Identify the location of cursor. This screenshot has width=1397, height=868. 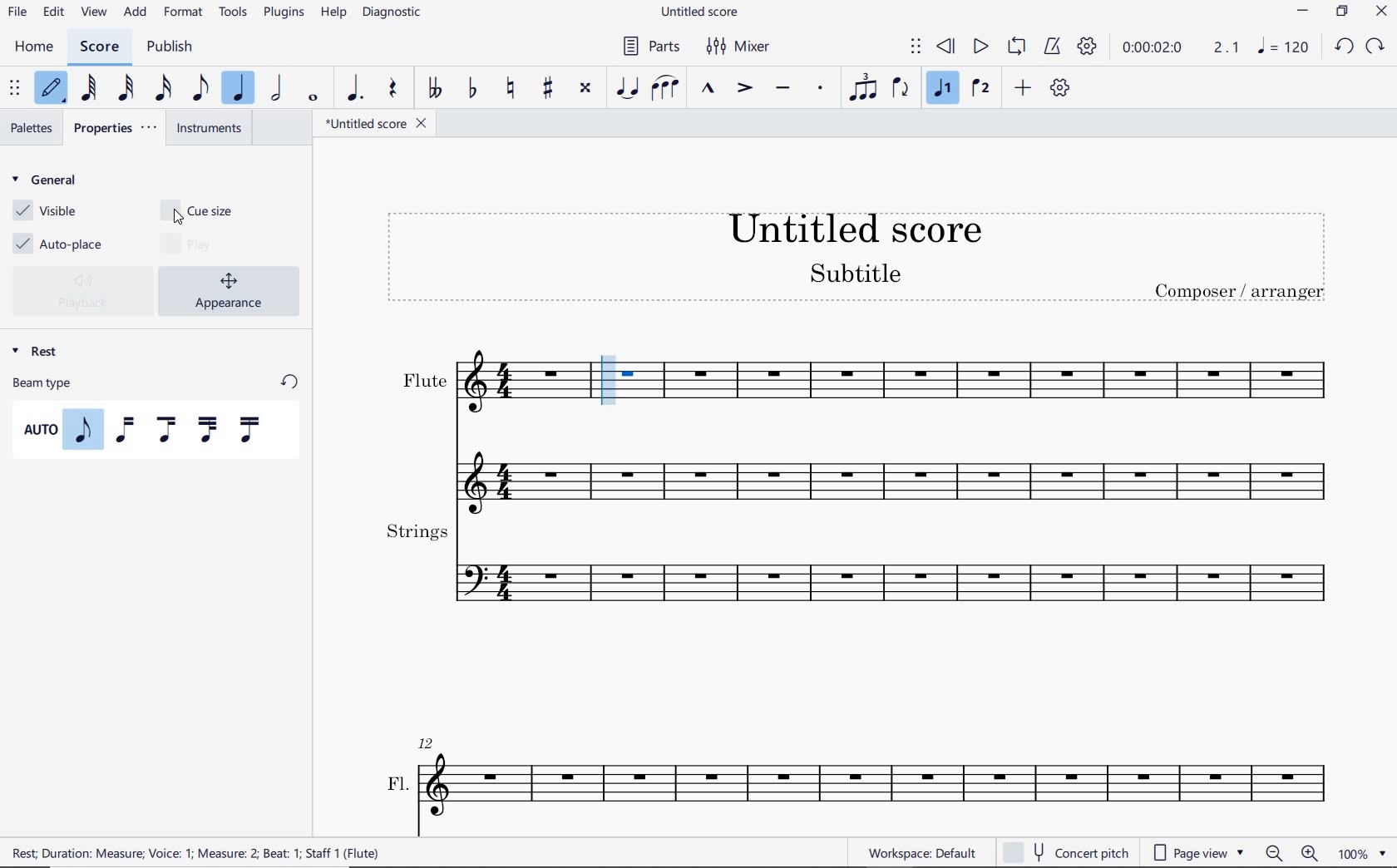
(178, 220).